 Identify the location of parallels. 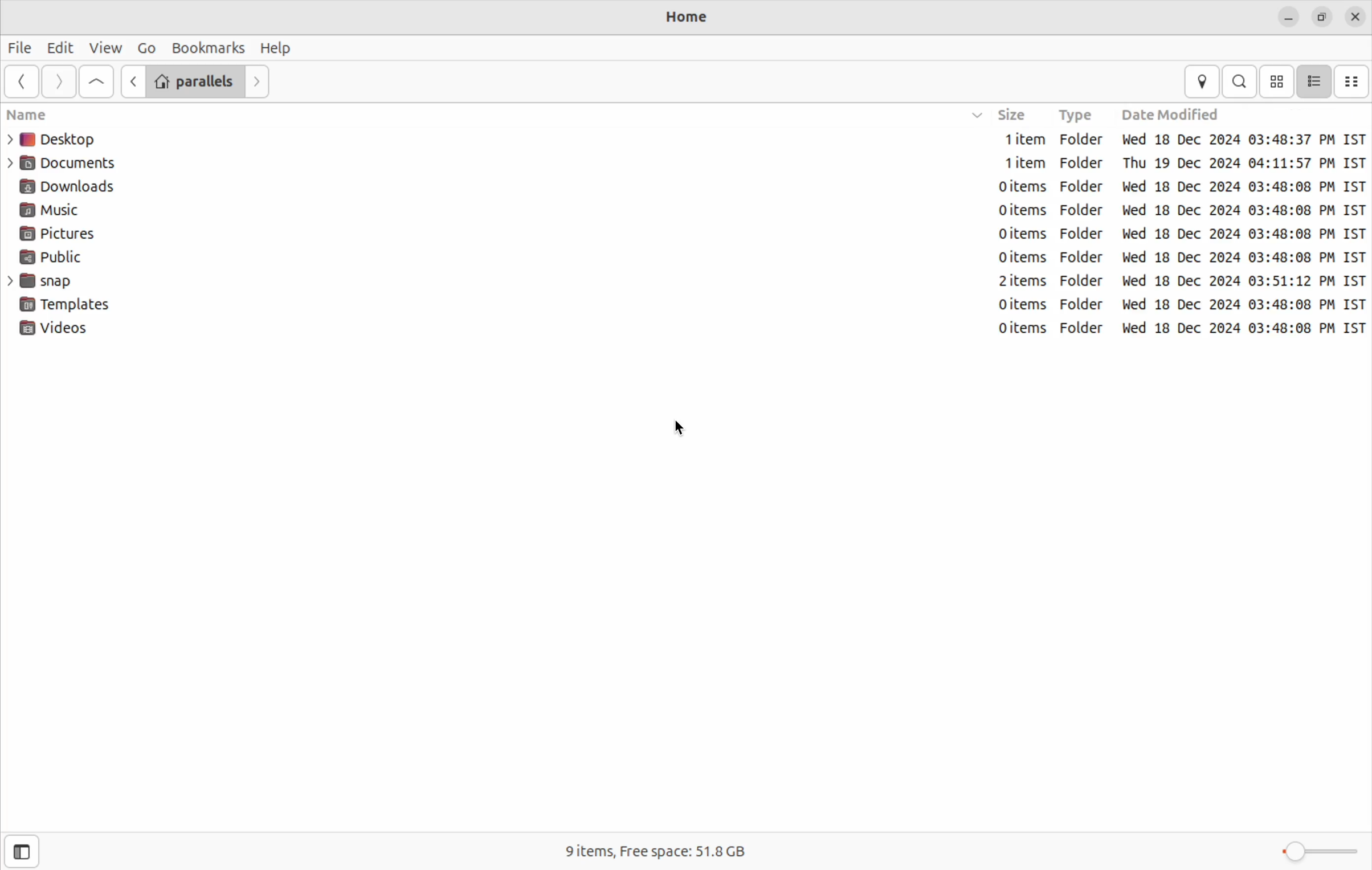
(193, 81).